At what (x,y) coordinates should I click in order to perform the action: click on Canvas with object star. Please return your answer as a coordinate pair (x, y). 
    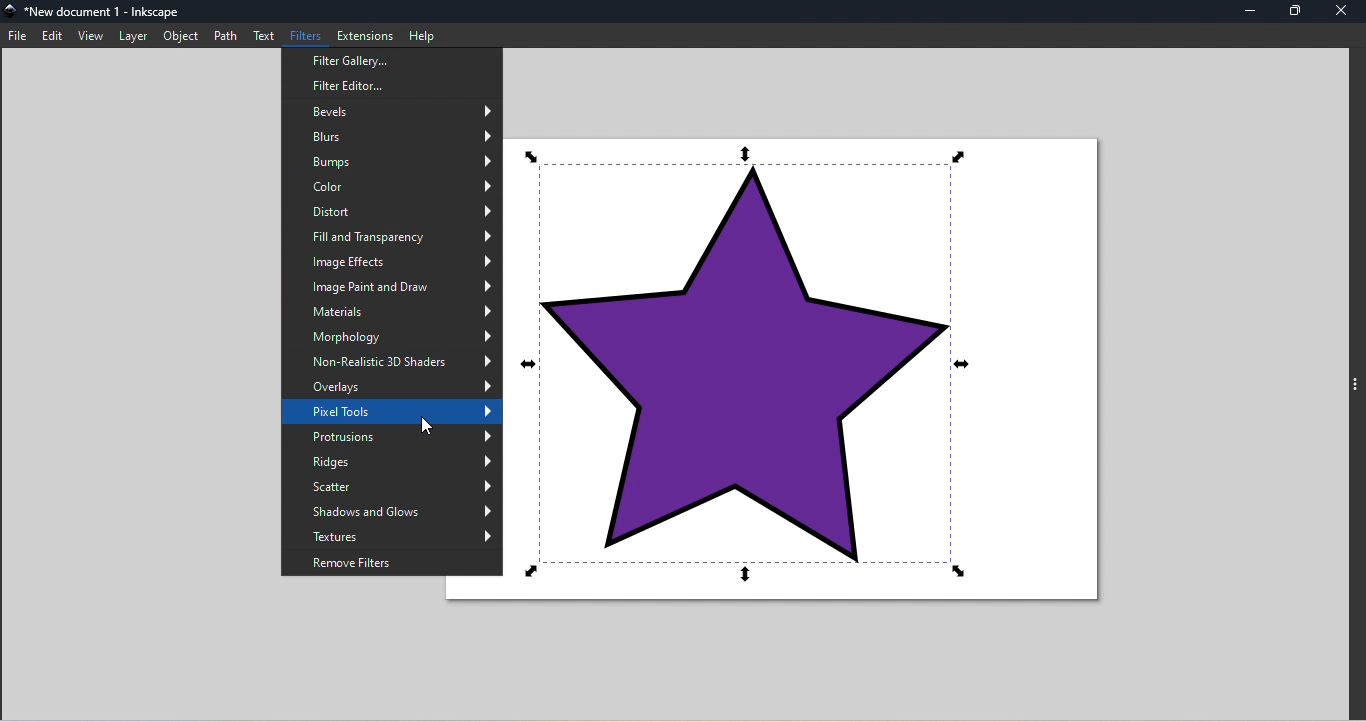
    Looking at the image, I should click on (814, 369).